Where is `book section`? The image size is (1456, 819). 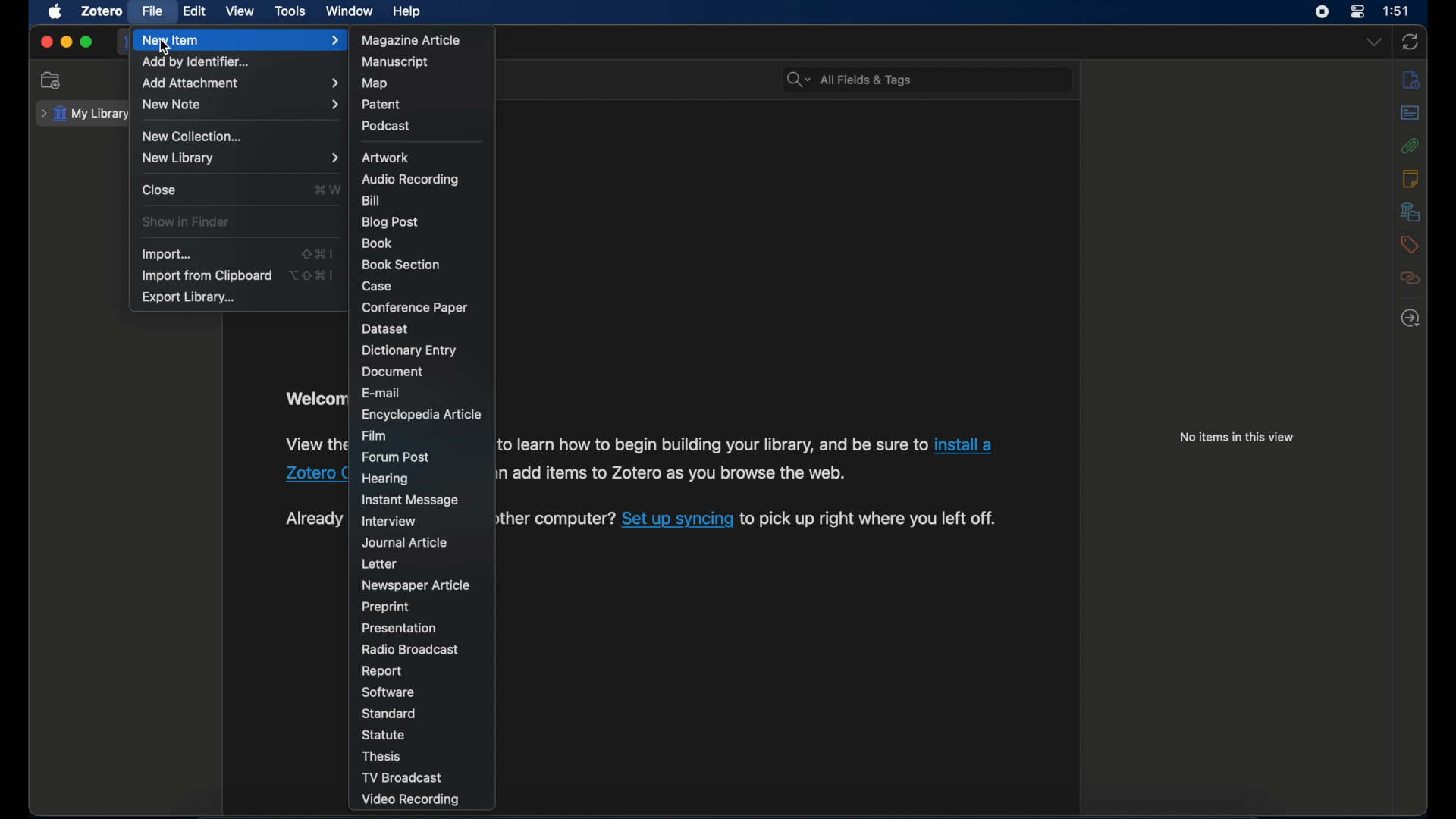
book section is located at coordinates (402, 265).